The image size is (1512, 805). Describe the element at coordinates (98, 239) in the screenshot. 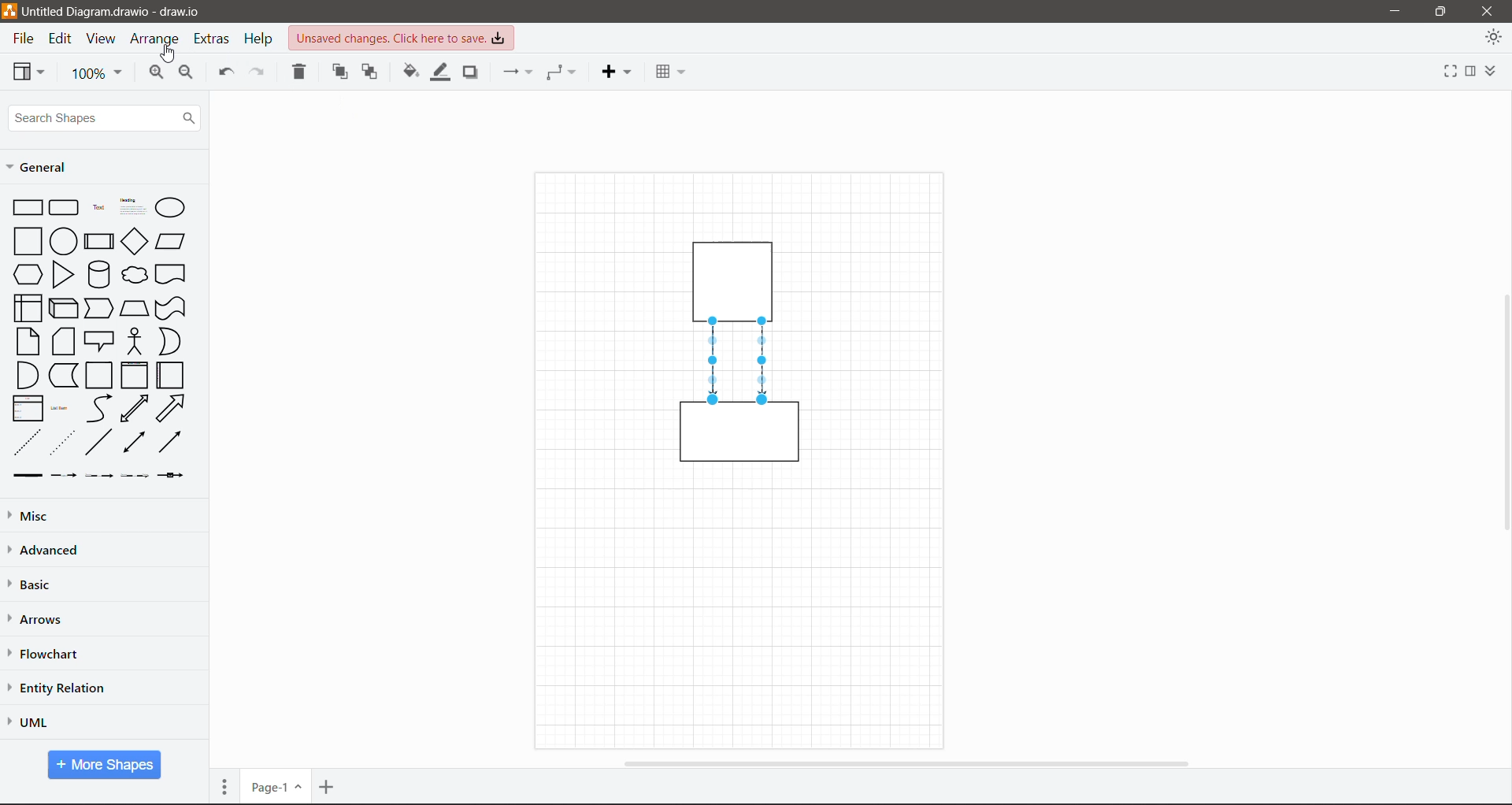

I see `Process` at that location.